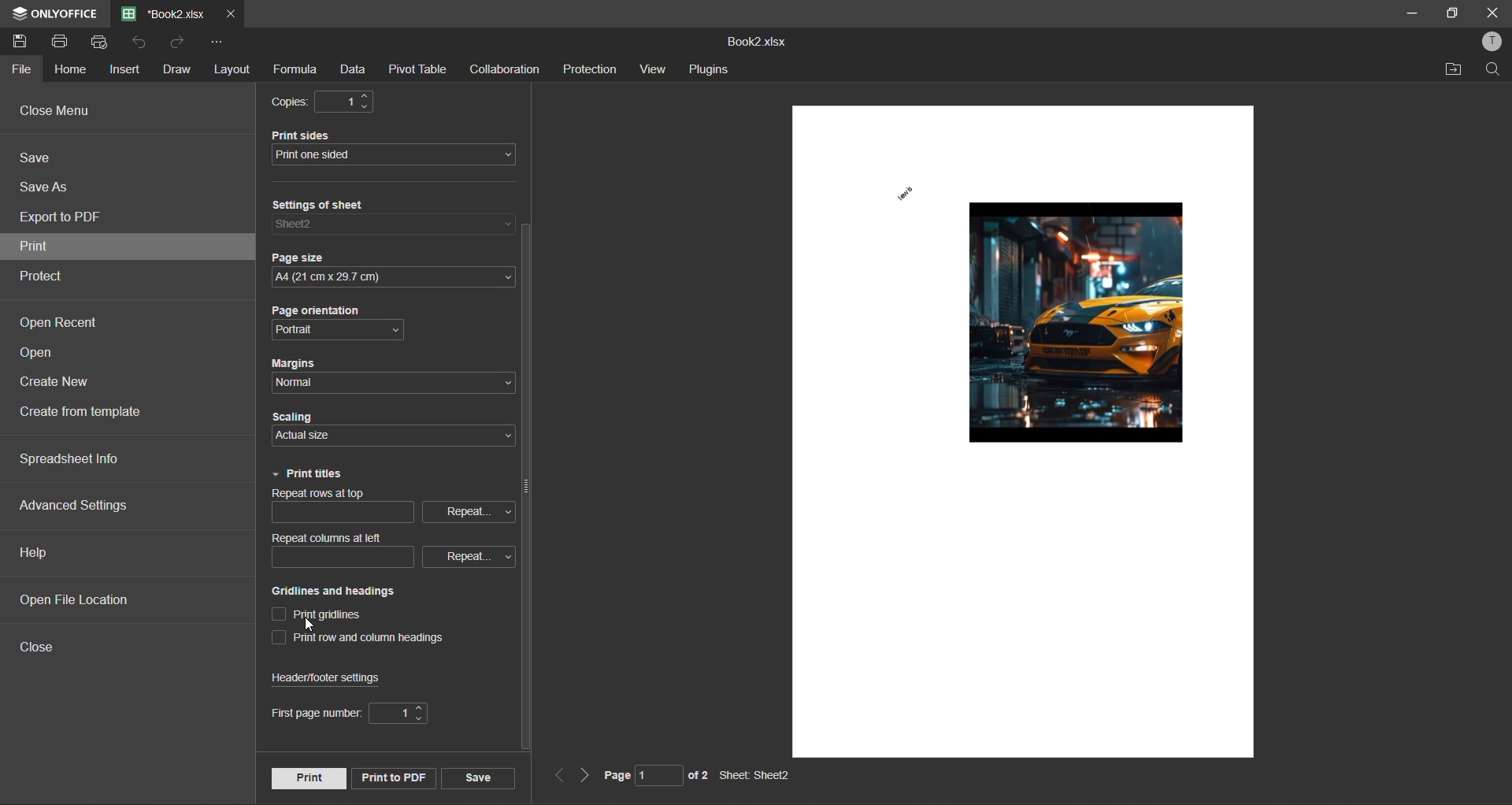 The height and width of the screenshot is (805, 1512). Describe the element at coordinates (558, 777) in the screenshot. I see `previous` at that location.